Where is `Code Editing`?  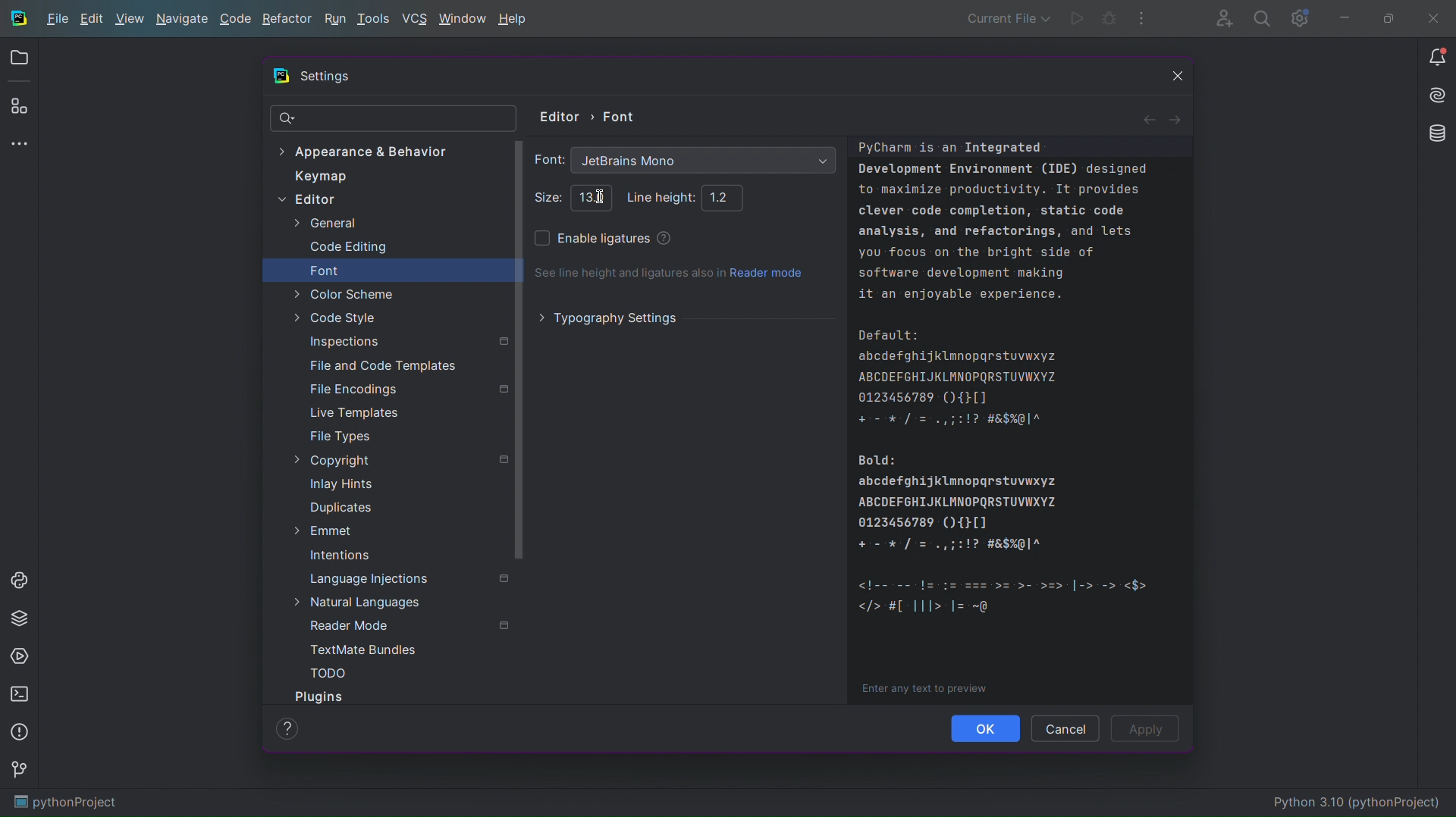 Code Editing is located at coordinates (348, 248).